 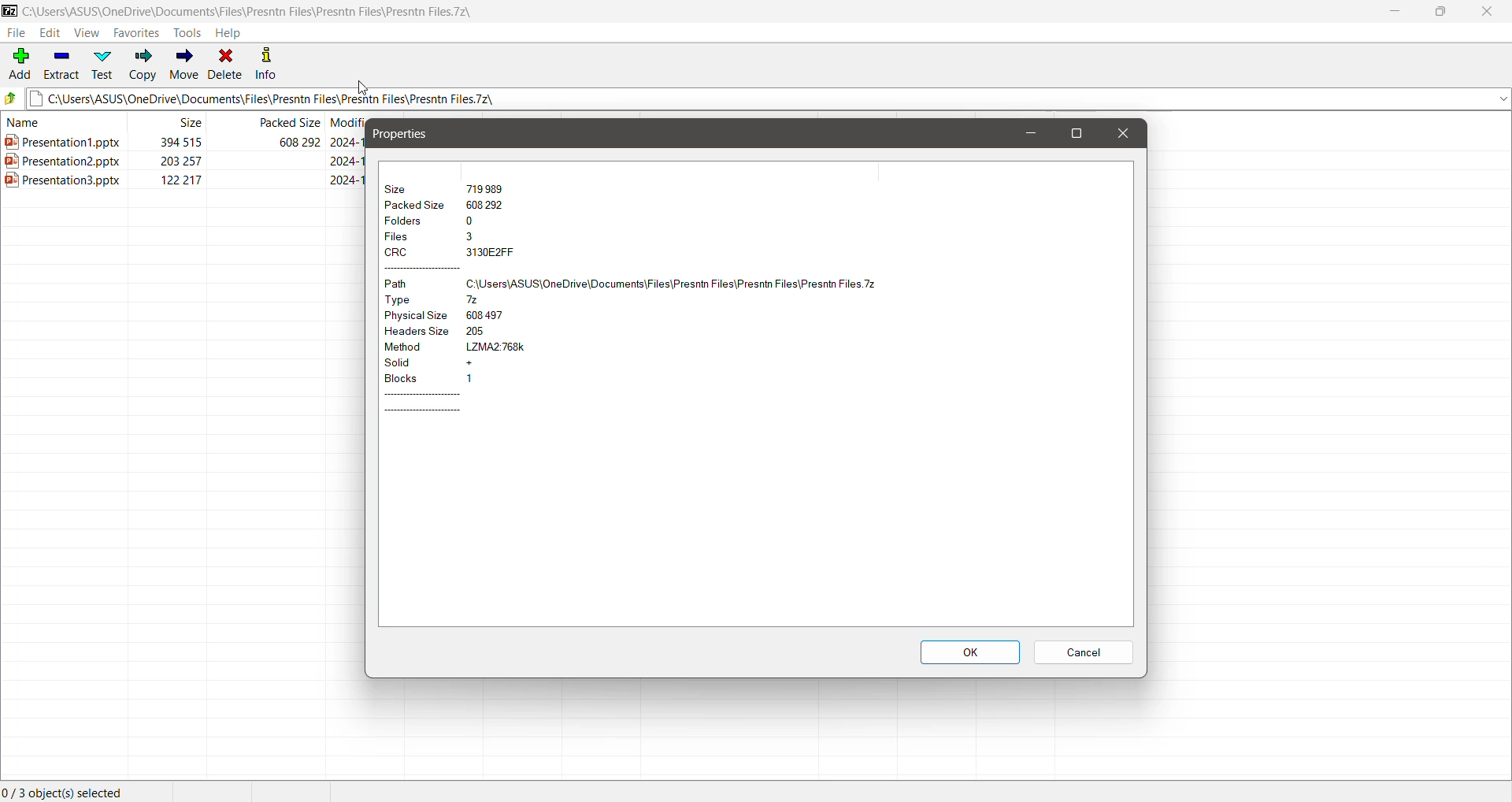 What do you see at coordinates (13, 98) in the screenshot?
I see `Move Up one level` at bounding box center [13, 98].